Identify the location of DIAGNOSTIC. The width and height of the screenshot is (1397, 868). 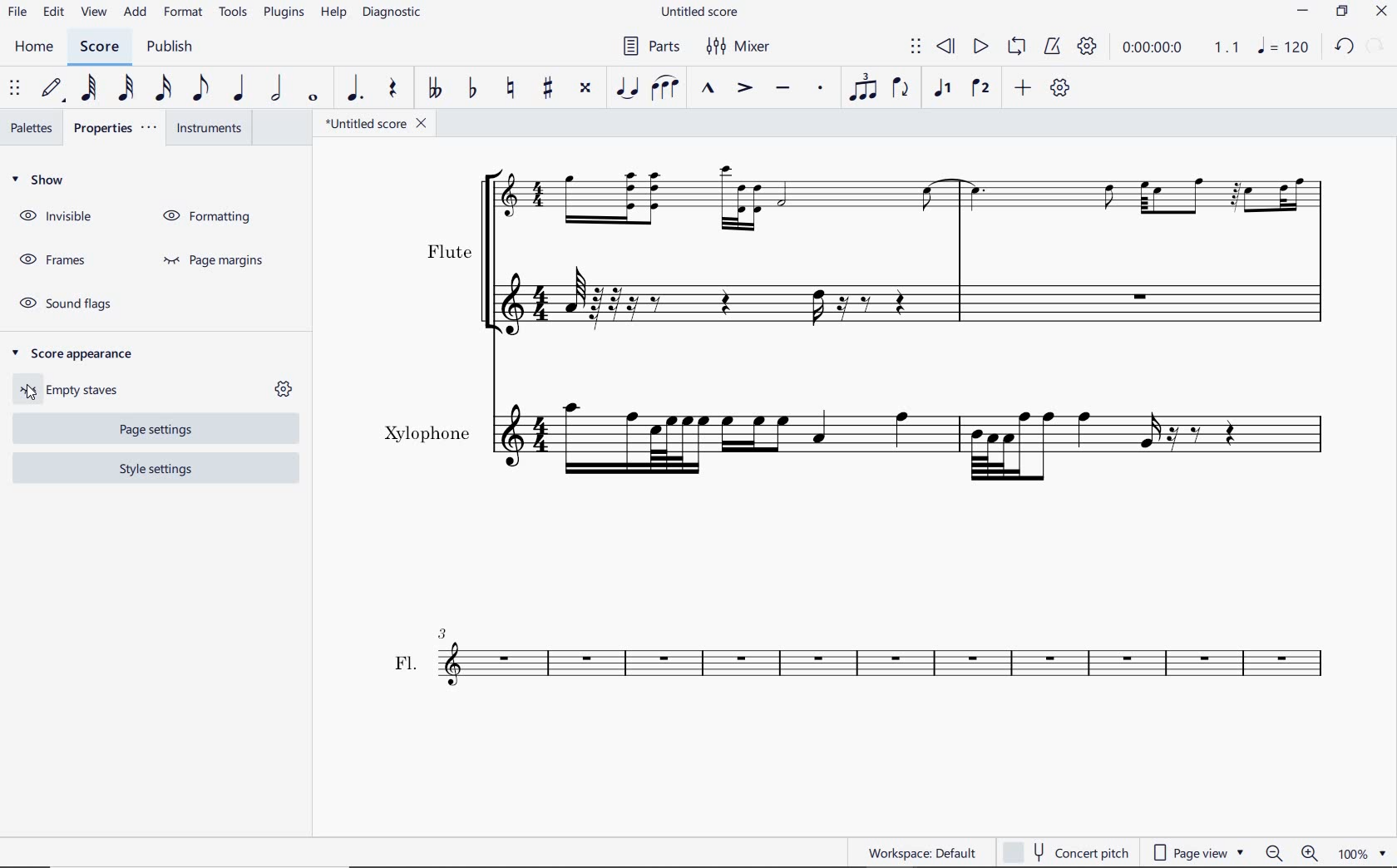
(390, 13).